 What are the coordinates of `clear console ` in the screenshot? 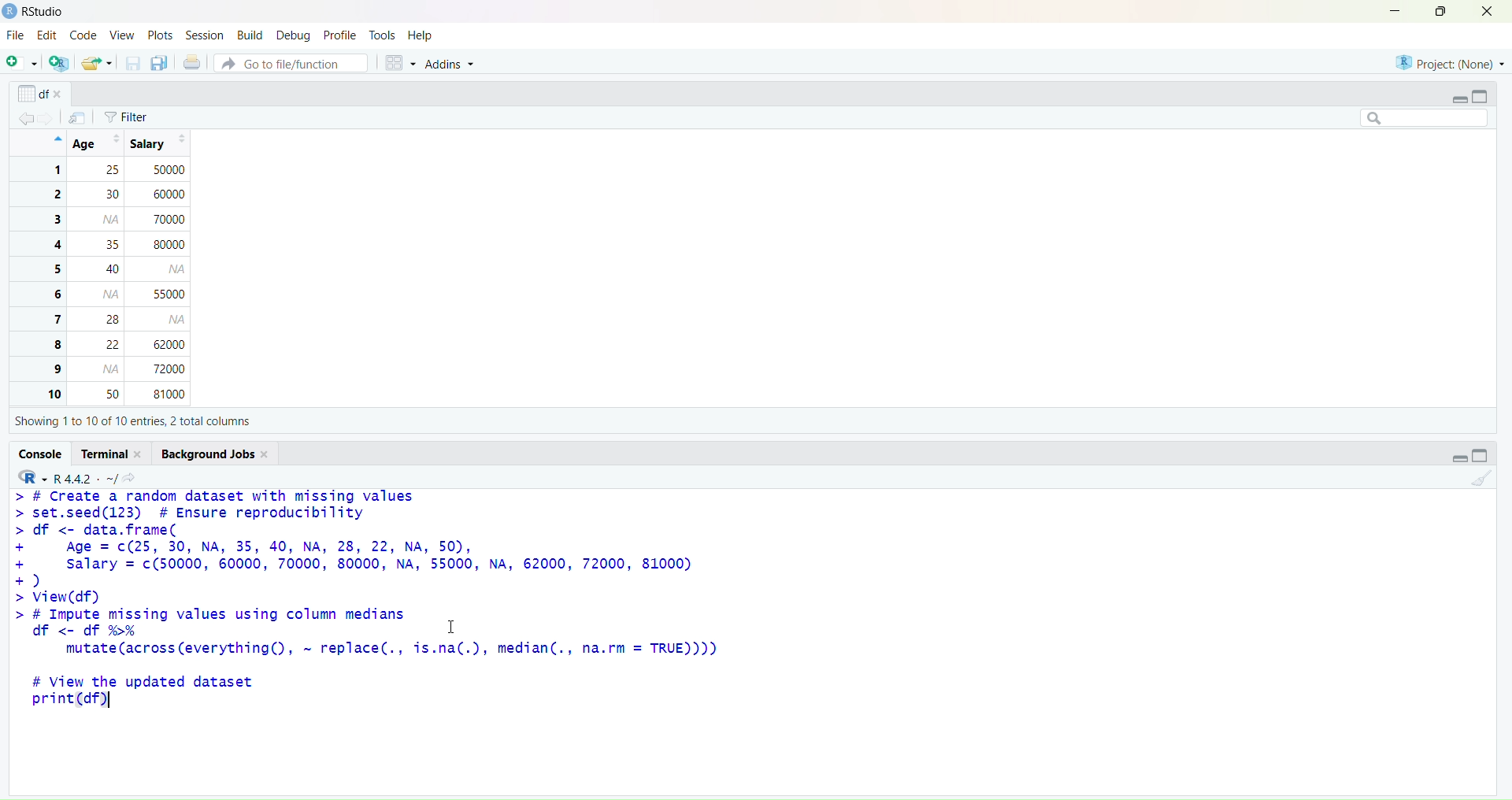 It's located at (1480, 480).